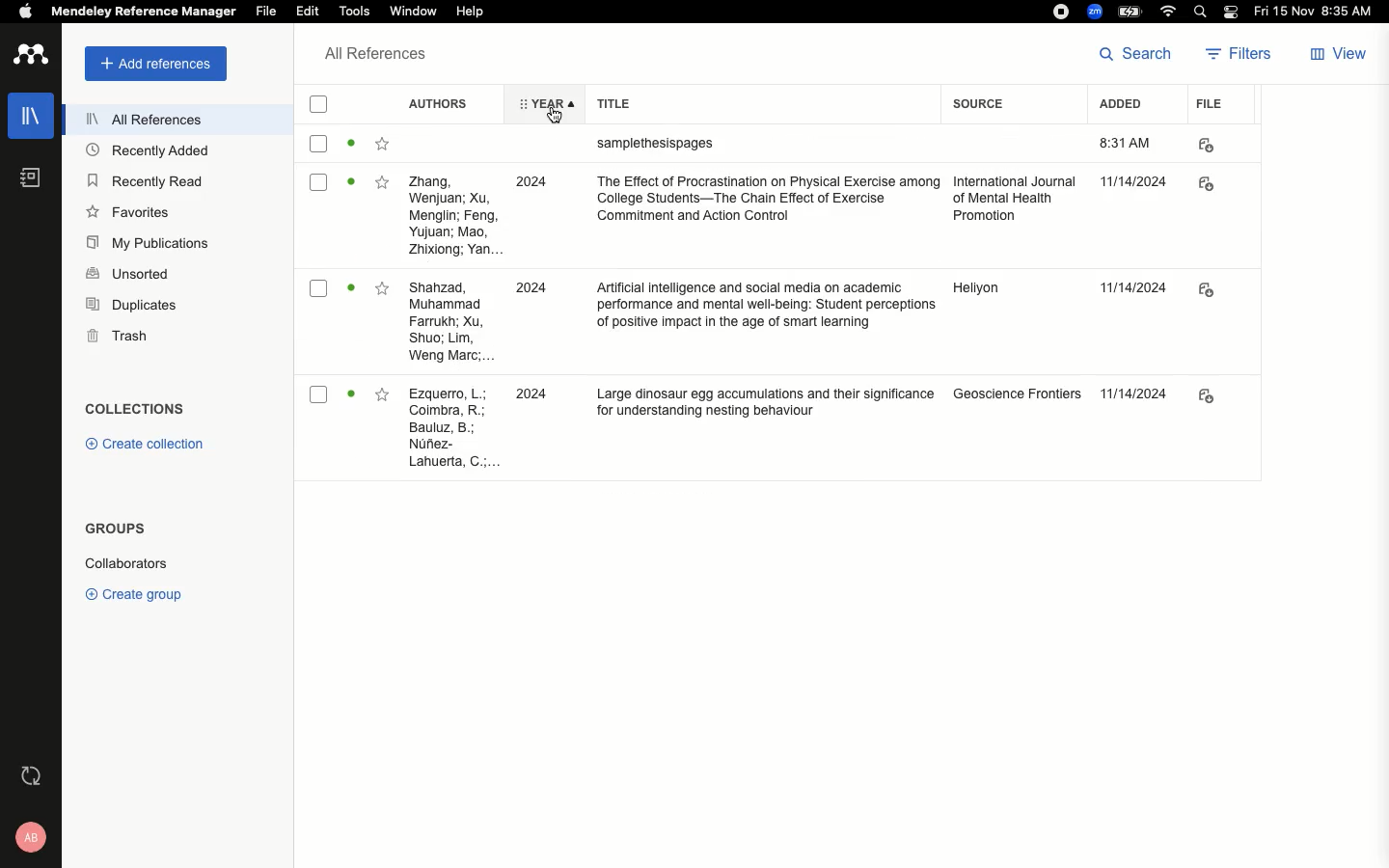  What do you see at coordinates (308, 11) in the screenshot?
I see `Edit` at bounding box center [308, 11].